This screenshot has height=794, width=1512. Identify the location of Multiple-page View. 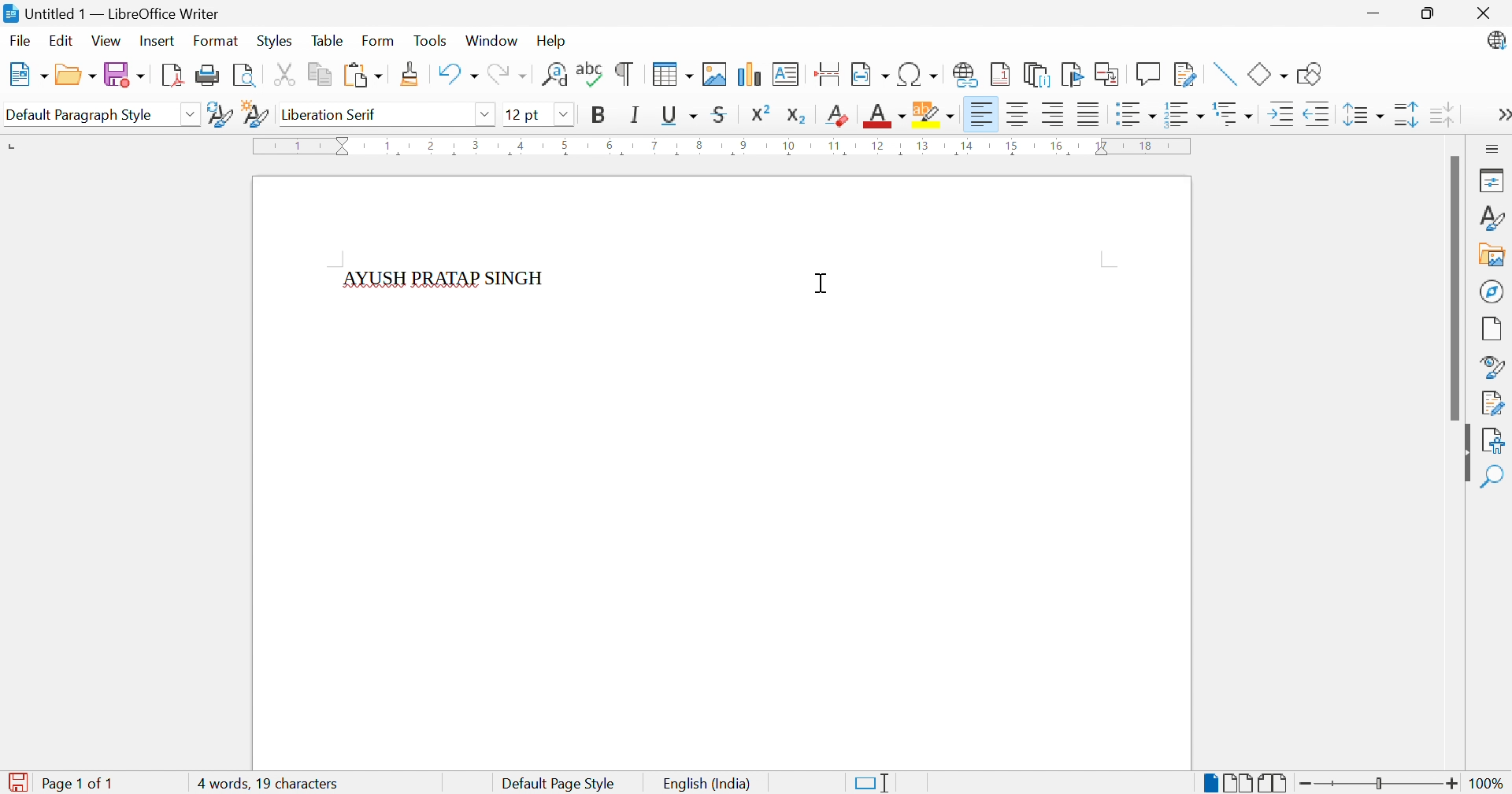
(1240, 781).